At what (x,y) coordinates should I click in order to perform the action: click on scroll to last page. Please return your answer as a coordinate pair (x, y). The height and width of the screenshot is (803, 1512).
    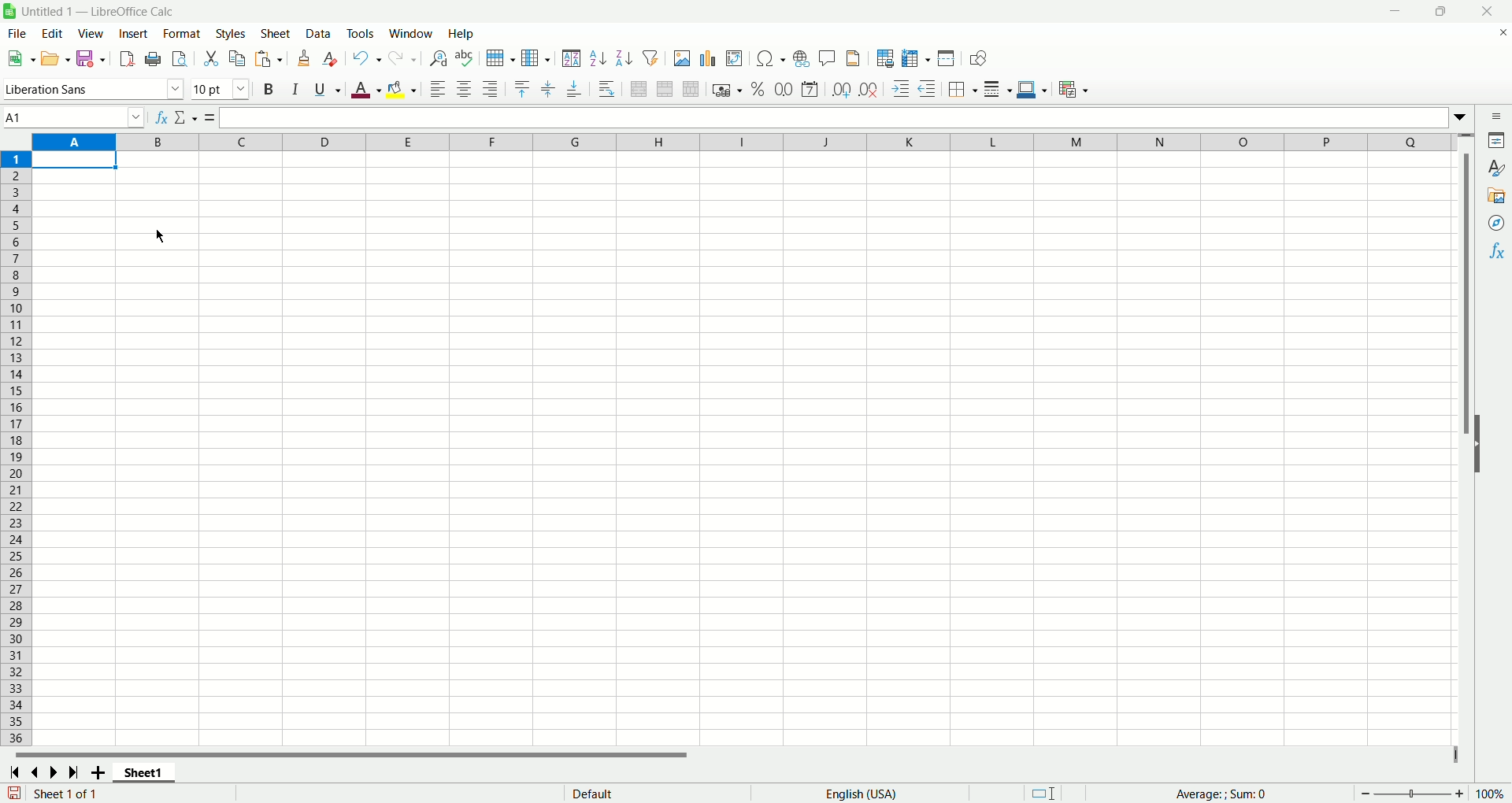
    Looking at the image, I should click on (74, 772).